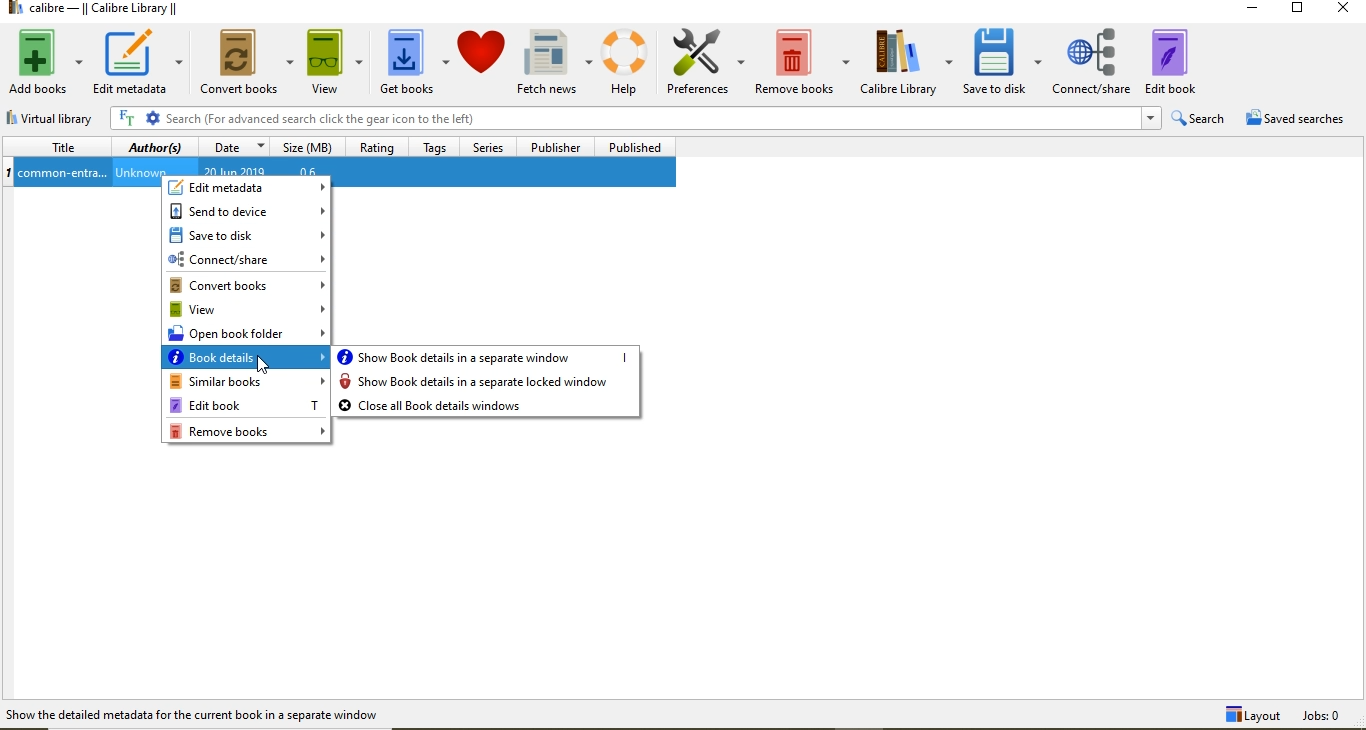 This screenshot has height=730, width=1366. Describe the element at coordinates (249, 432) in the screenshot. I see `remove books` at that location.